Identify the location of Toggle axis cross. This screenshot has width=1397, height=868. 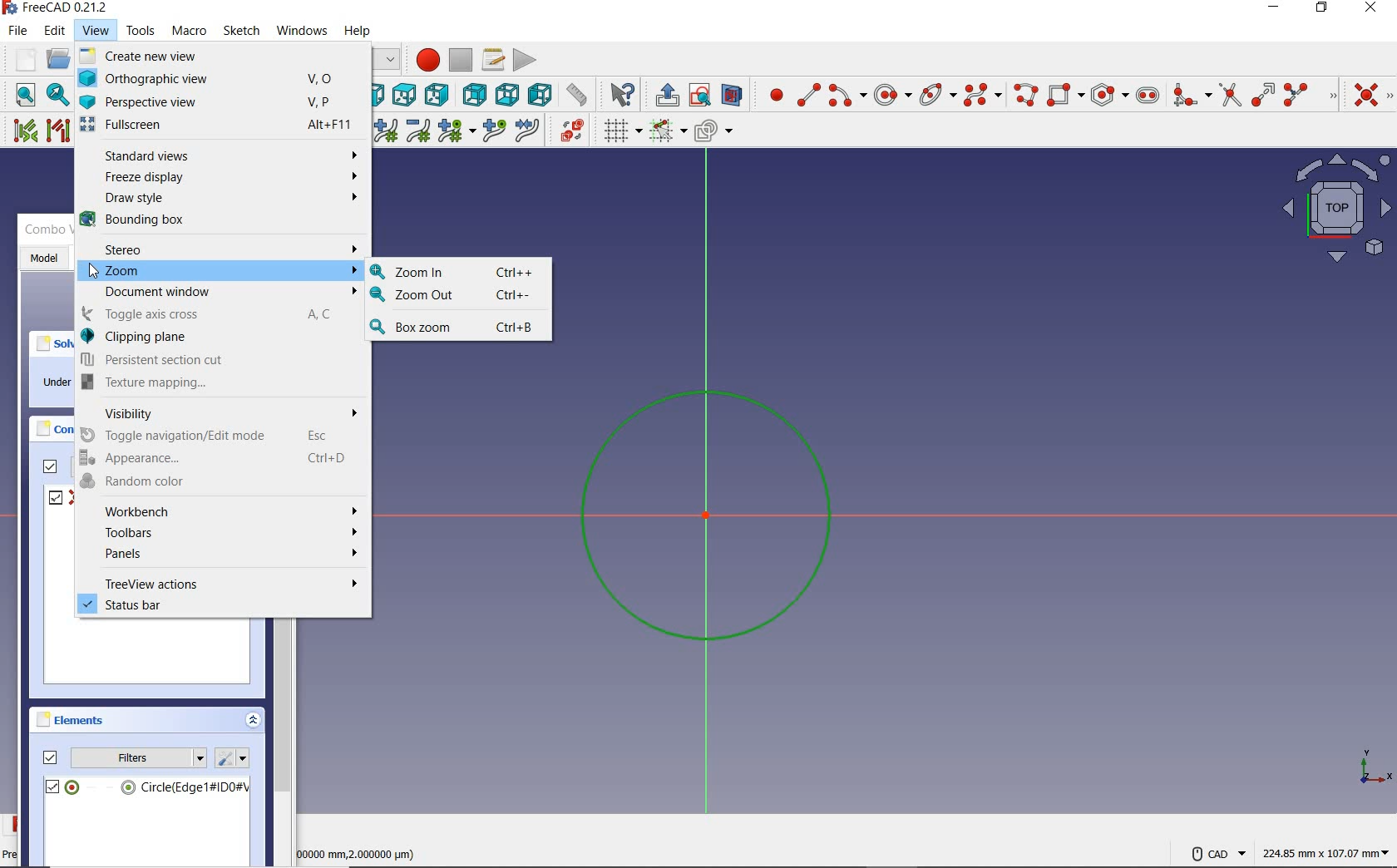
(218, 314).